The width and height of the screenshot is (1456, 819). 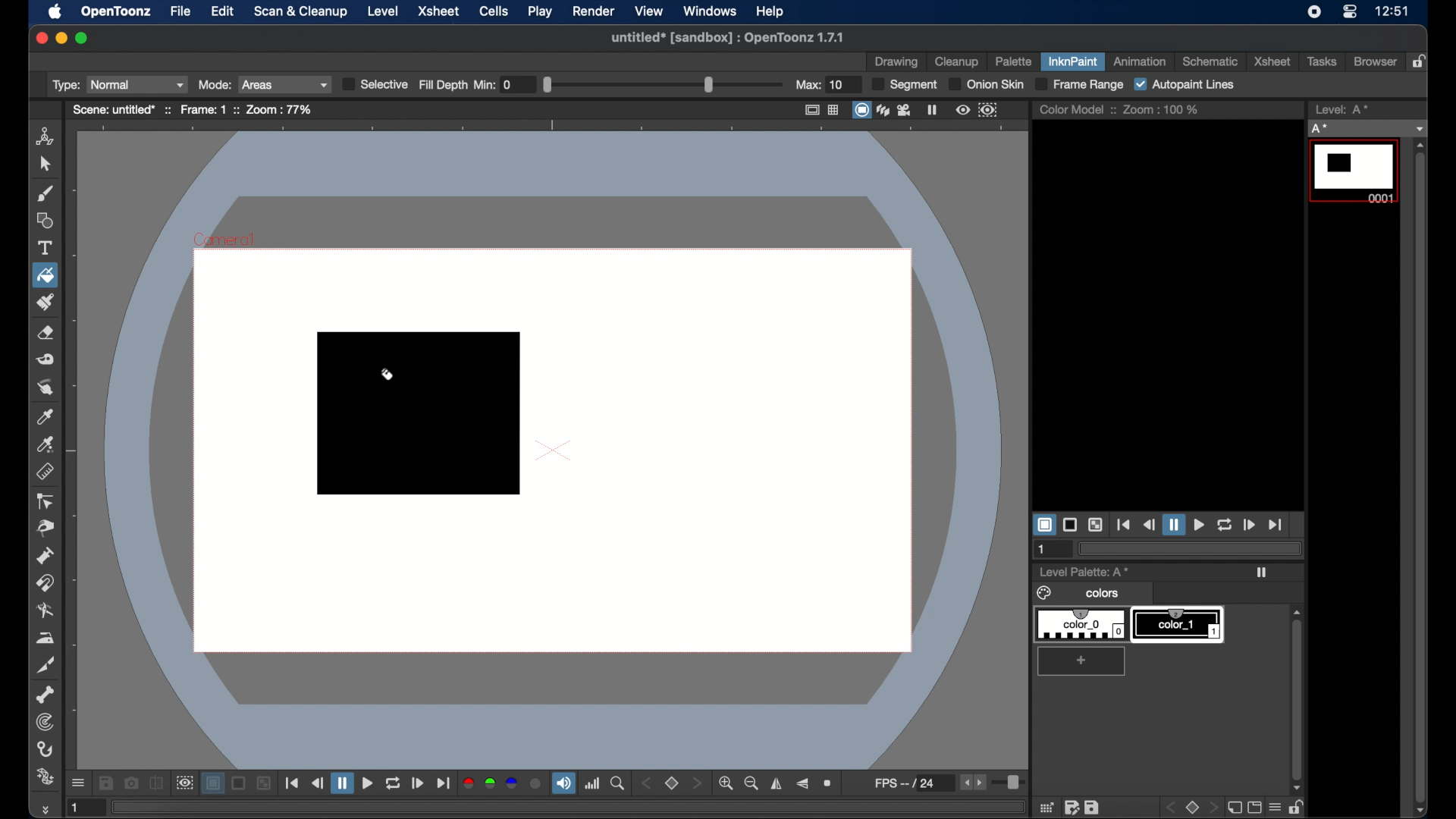 I want to click on frame range, so click(x=1078, y=85).